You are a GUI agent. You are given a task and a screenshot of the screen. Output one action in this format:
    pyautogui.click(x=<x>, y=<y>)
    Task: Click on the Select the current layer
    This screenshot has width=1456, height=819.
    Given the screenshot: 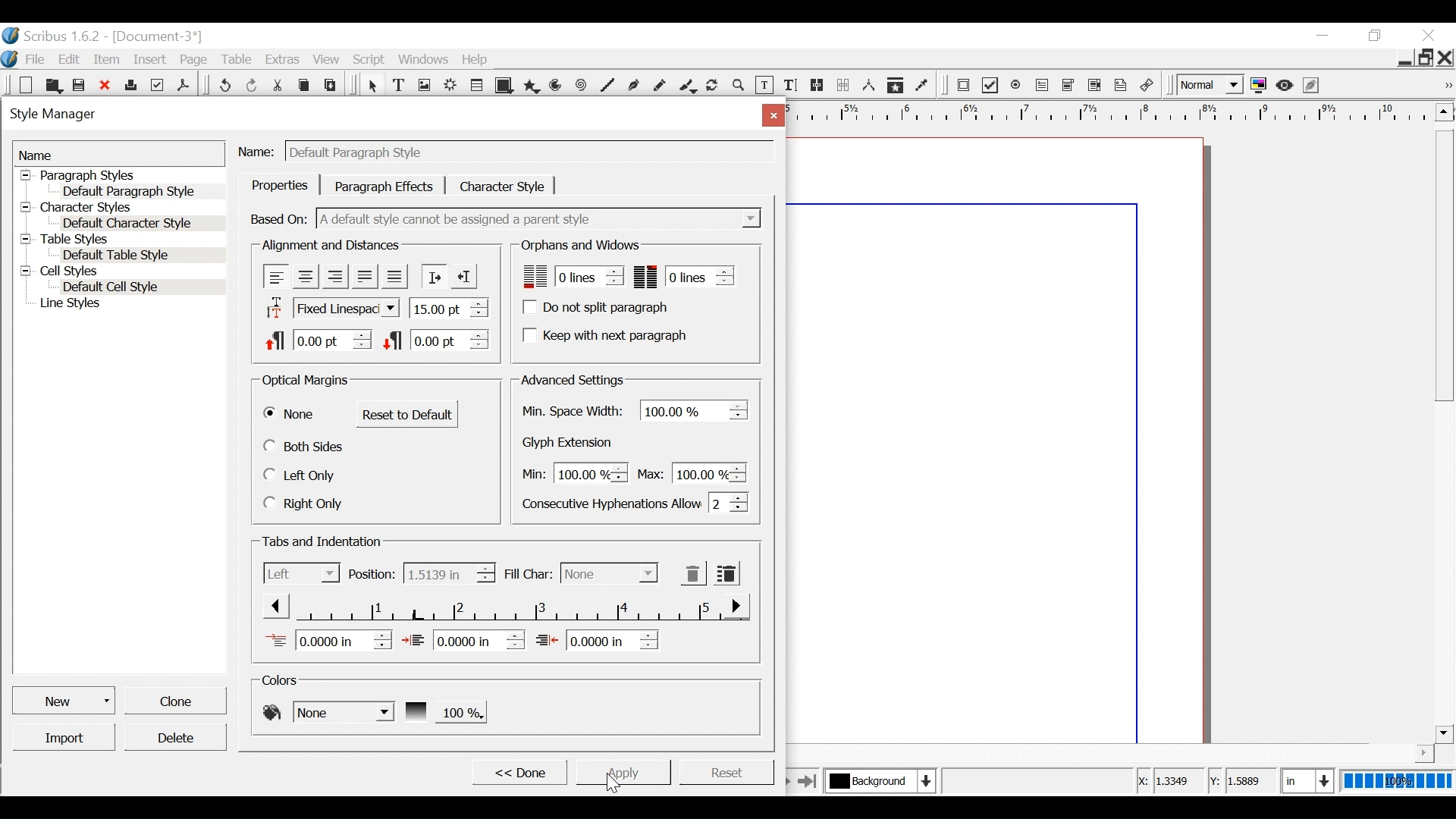 What is the action you would take?
    pyautogui.click(x=877, y=780)
    